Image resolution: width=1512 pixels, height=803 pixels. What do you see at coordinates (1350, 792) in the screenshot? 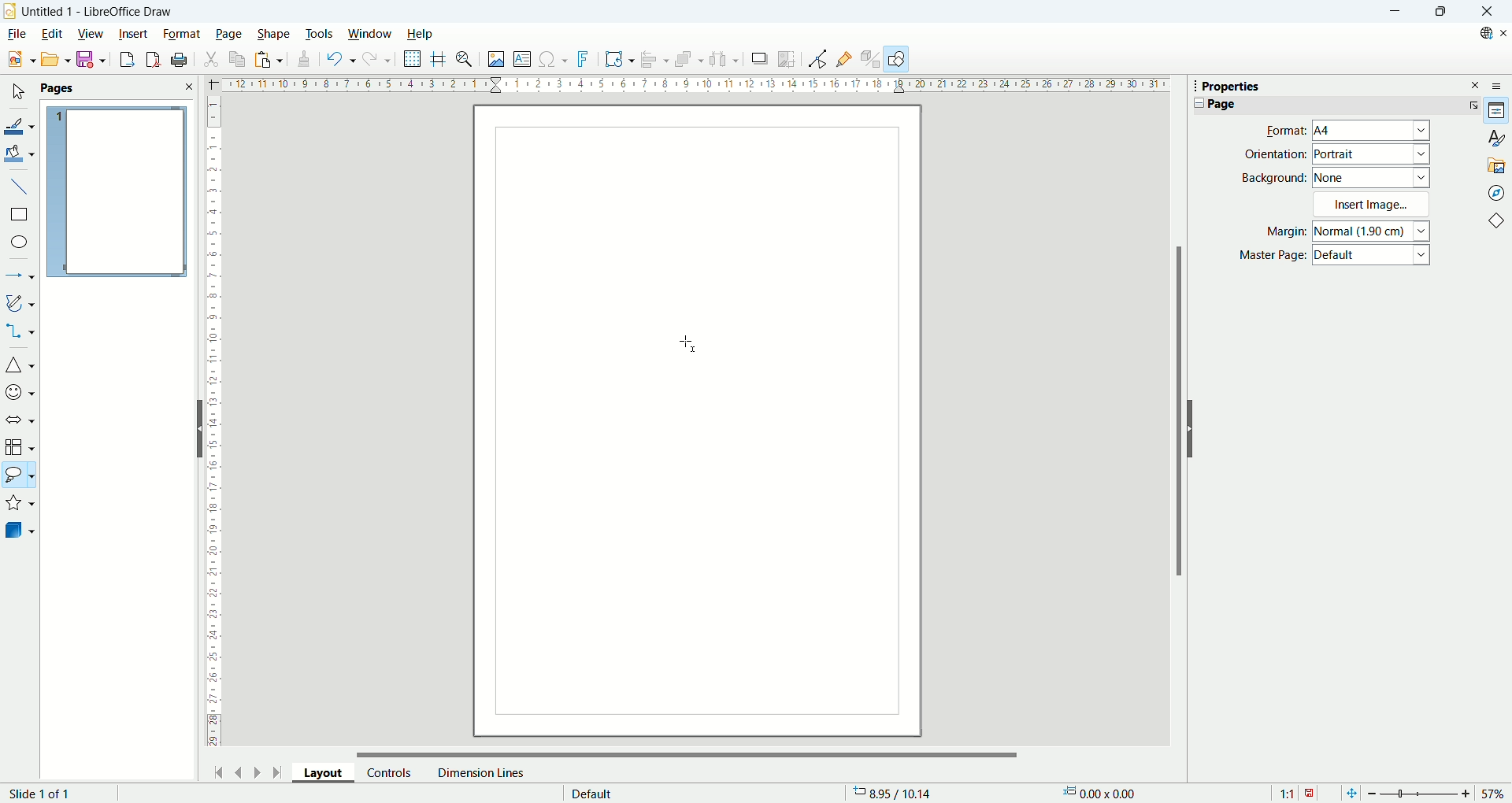
I see `fit to window screen` at bounding box center [1350, 792].